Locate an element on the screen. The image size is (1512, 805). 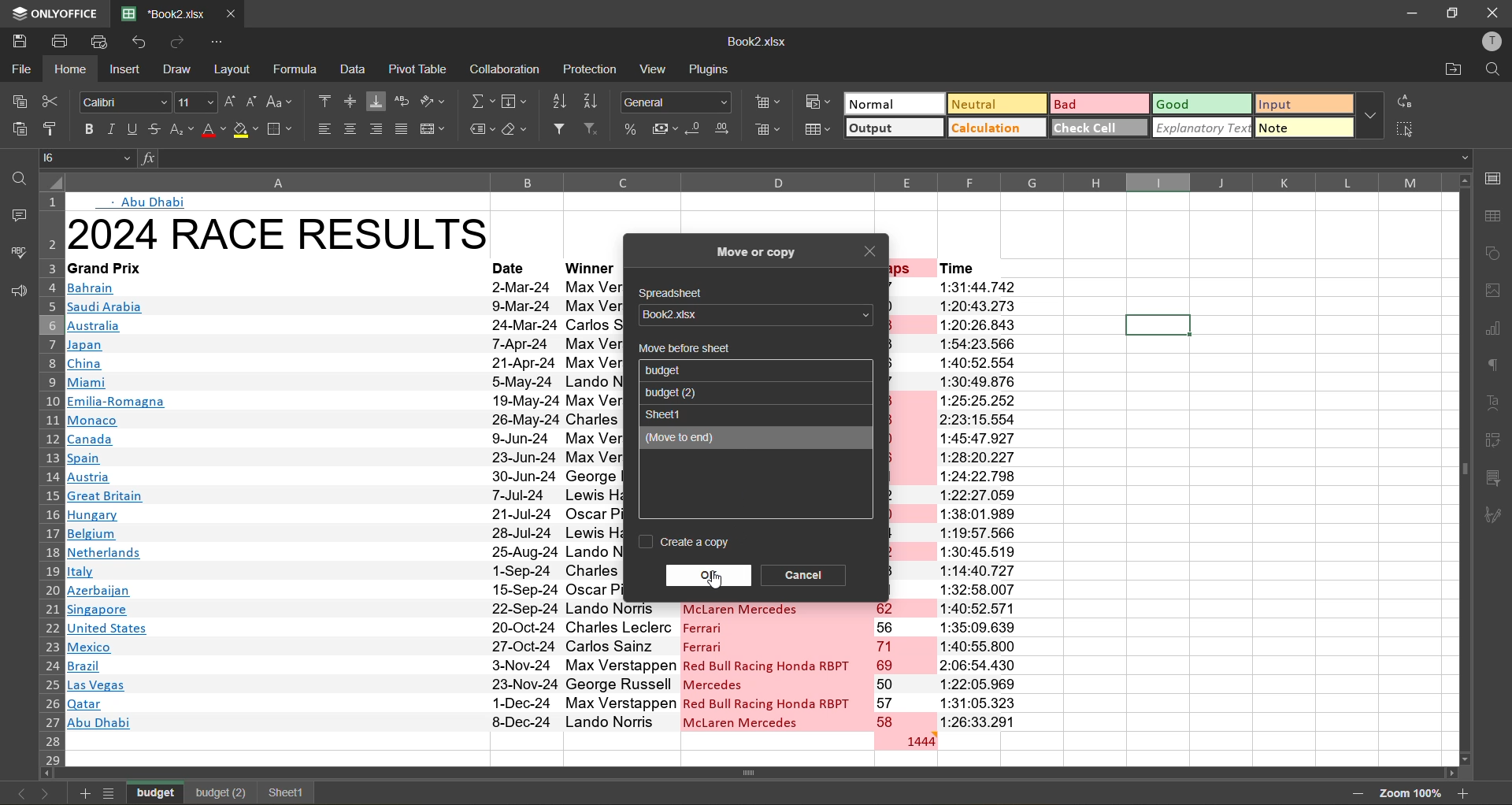
protection is located at coordinates (590, 70).